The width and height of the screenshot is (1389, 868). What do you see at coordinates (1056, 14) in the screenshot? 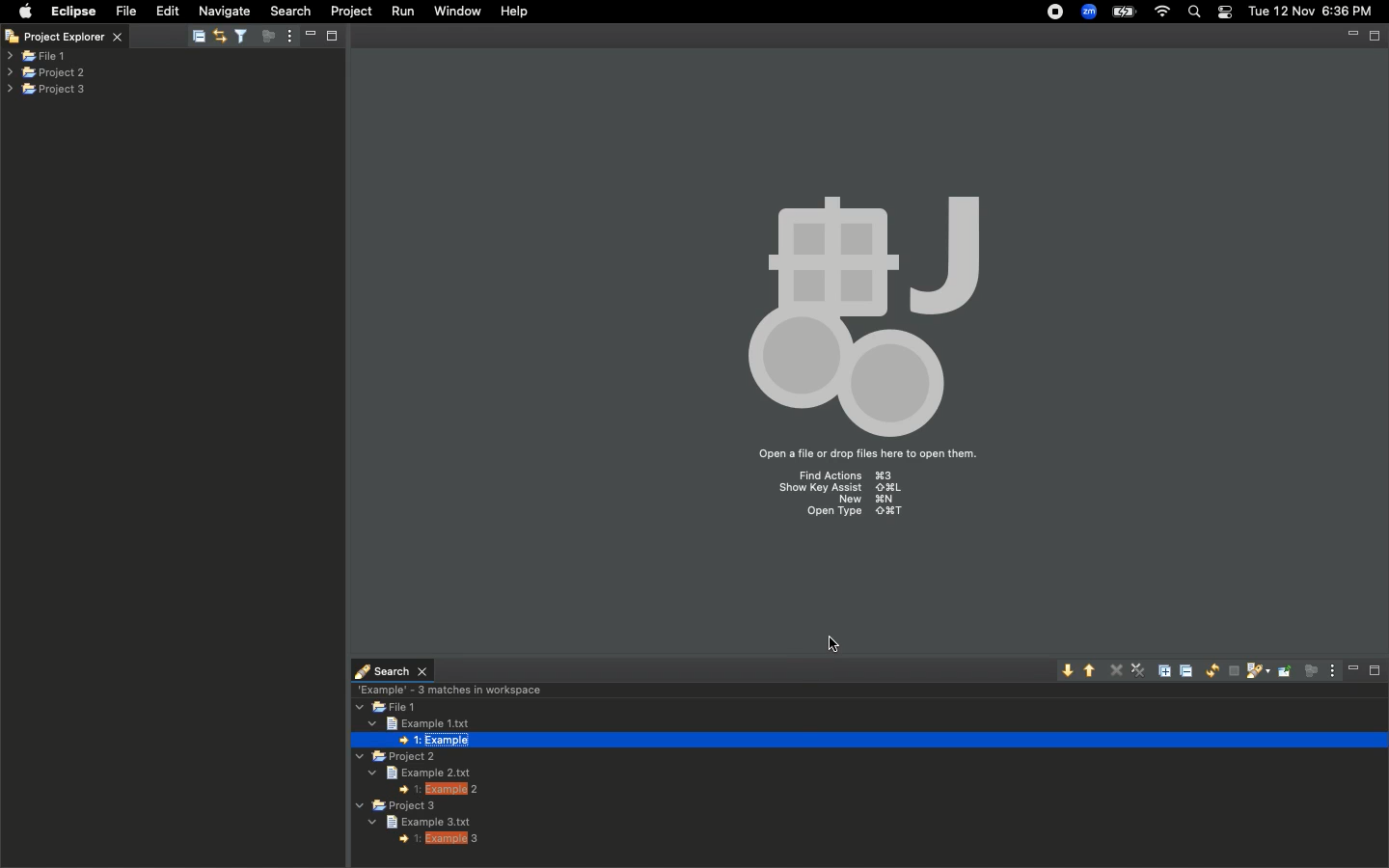
I see `Recording` at bounding box center [1056, 14].